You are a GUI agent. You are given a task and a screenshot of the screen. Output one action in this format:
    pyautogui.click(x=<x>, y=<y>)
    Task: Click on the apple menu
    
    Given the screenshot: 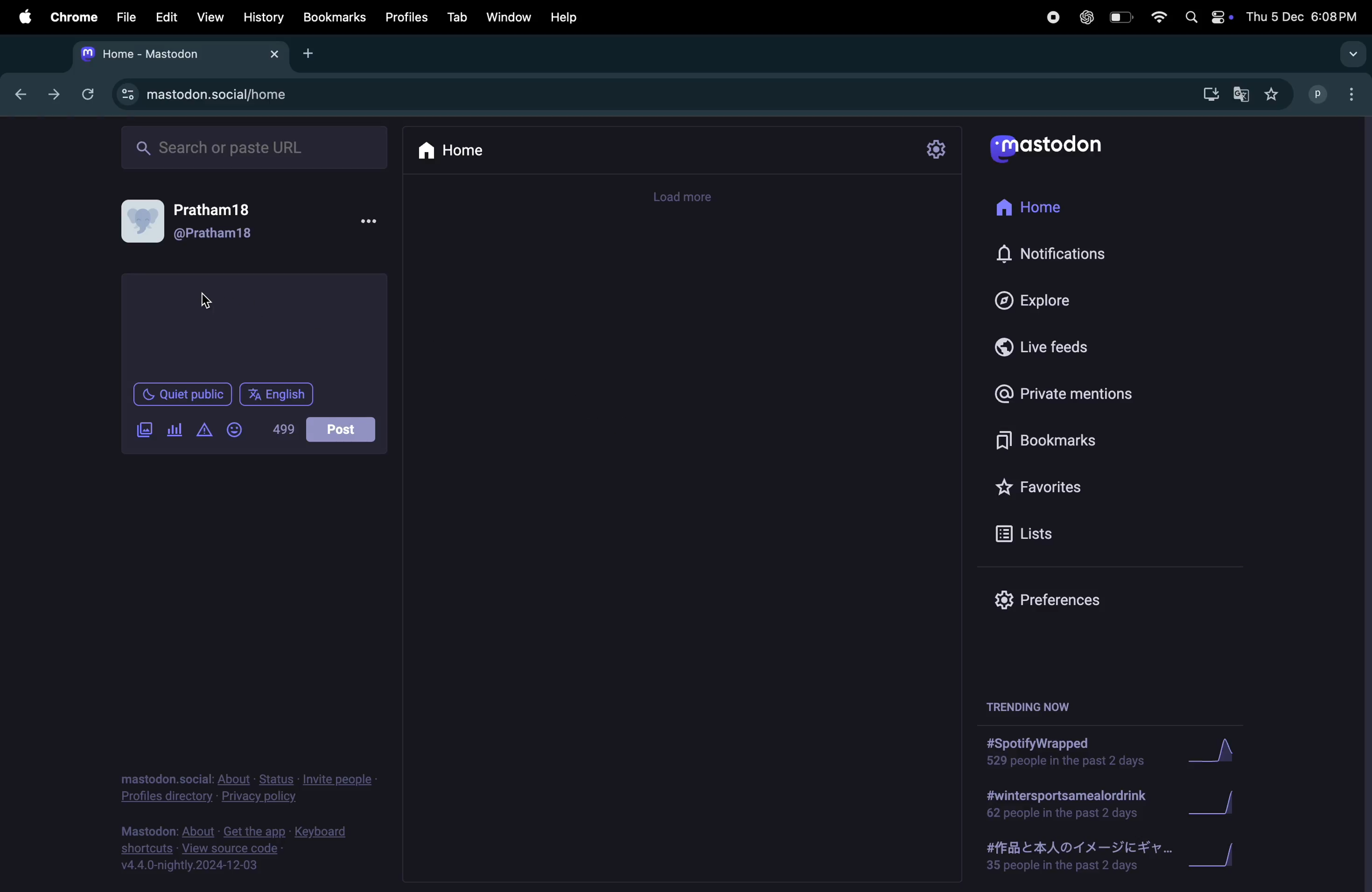 What is the action you would take?
    pyautogui.click(x=24, y=17)
    